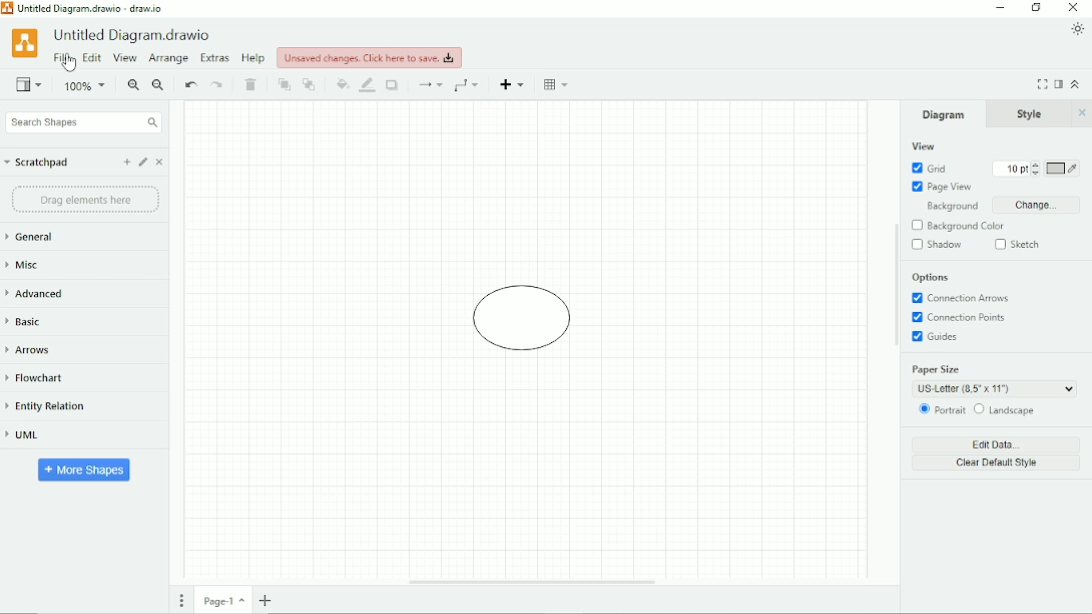 The height and width of the screenshot is (614, 1092). I want to click on More Shapes, so click(85, 469).